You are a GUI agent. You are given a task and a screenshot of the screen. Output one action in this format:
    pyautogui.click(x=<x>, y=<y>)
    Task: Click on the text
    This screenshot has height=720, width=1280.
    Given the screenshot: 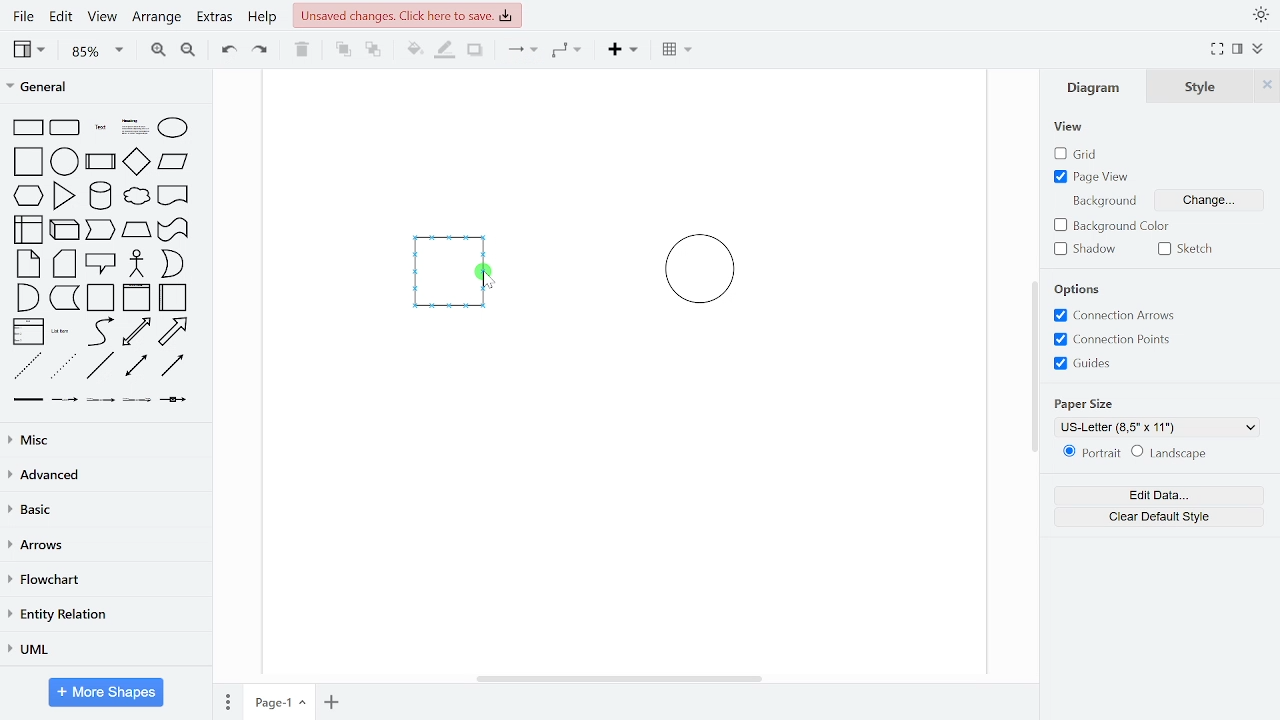 What is the action you would take?
    pyautogui.click(x=102, y=129)
    